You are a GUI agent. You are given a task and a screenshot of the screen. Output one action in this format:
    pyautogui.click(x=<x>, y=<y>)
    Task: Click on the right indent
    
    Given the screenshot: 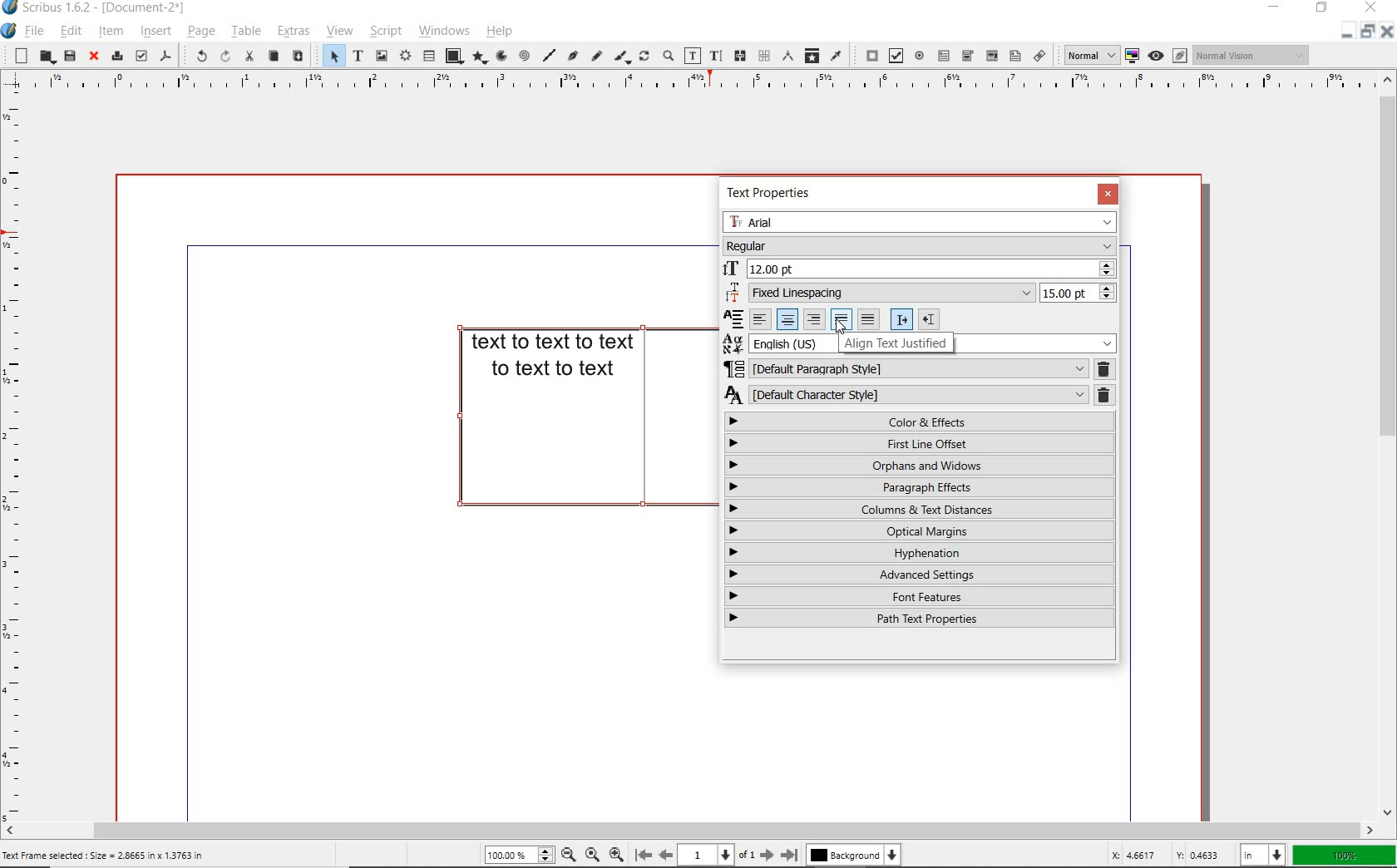 What is the action you would take?
    pyautogui.click(x=928, y=318)
    